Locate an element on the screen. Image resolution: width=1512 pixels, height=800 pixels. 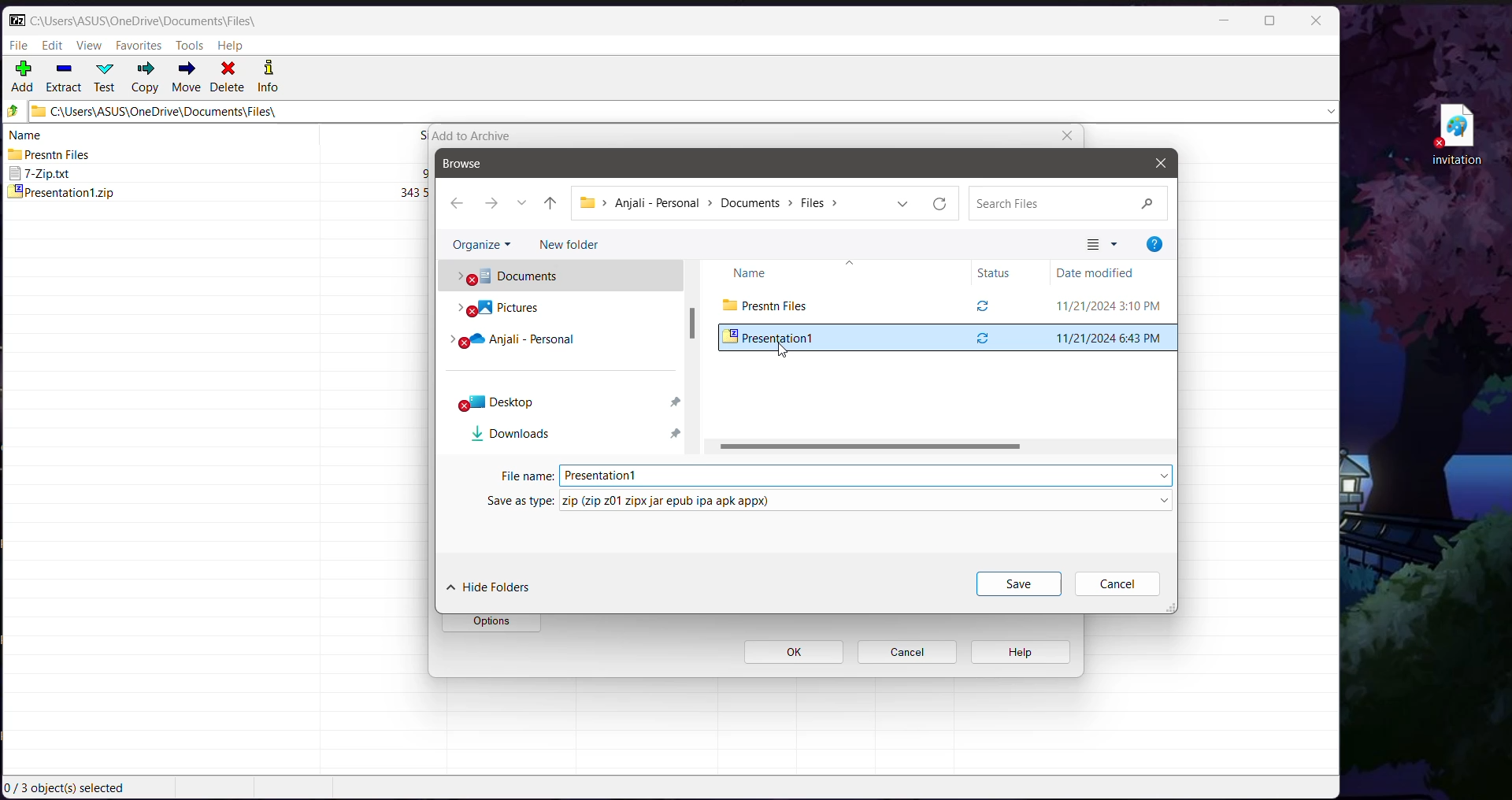
add to archive is located at coordinates (478, 135).